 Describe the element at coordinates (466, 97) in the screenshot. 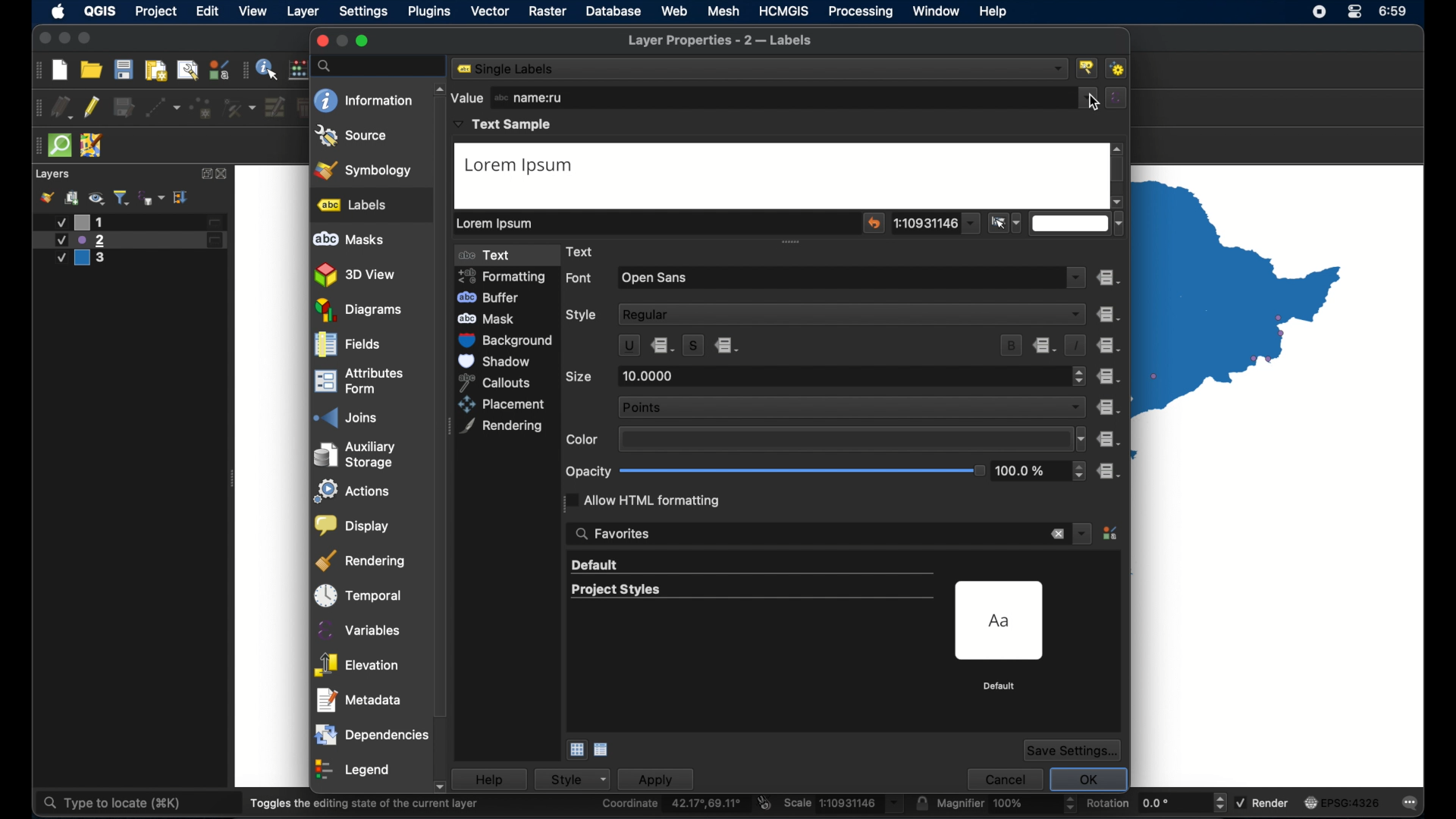

I see `value` at that location.